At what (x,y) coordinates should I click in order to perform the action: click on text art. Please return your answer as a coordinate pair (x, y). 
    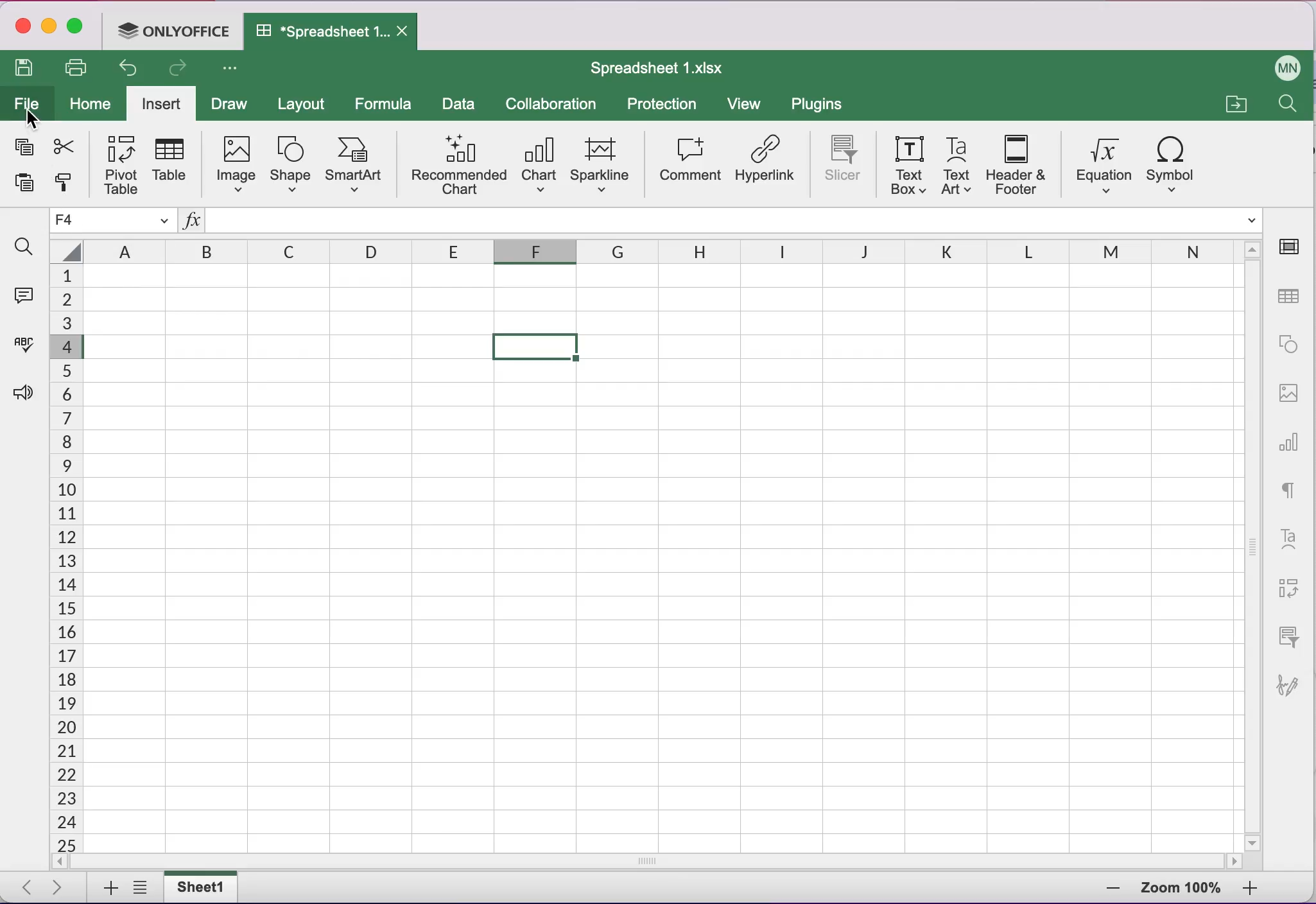
    Looking at the image, I should click on (957, 167).